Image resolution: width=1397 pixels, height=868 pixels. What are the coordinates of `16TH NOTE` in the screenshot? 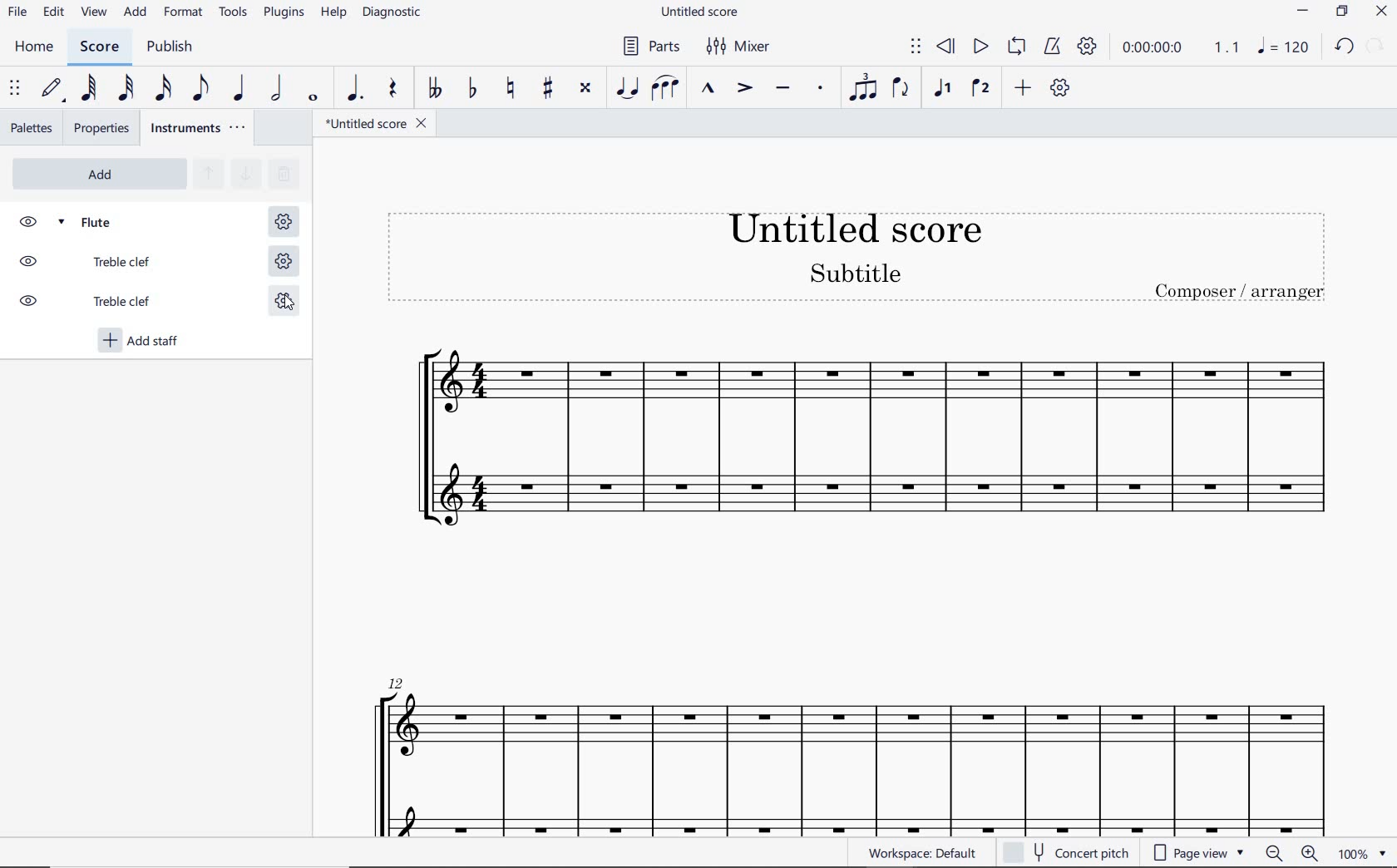 It's located at (164, 89).